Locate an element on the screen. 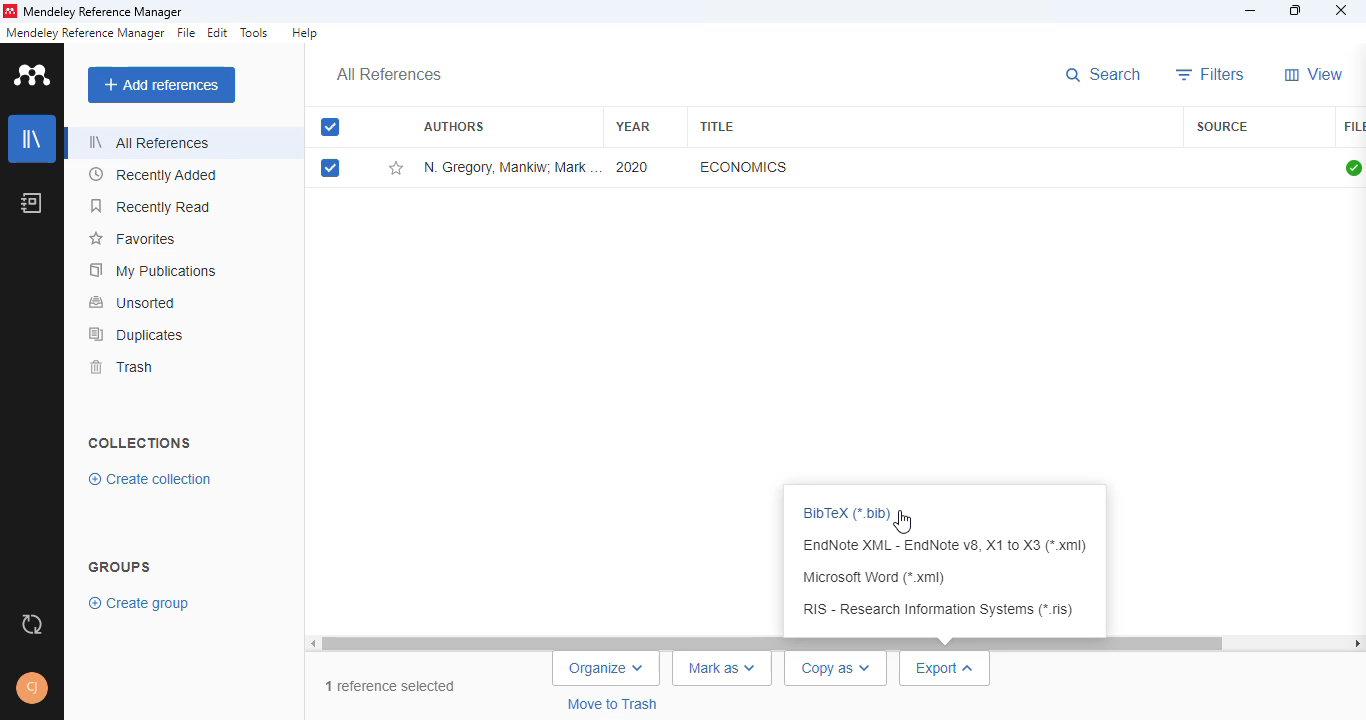 The image size is (1366, 720). search is located at coordinates (1103, 75).